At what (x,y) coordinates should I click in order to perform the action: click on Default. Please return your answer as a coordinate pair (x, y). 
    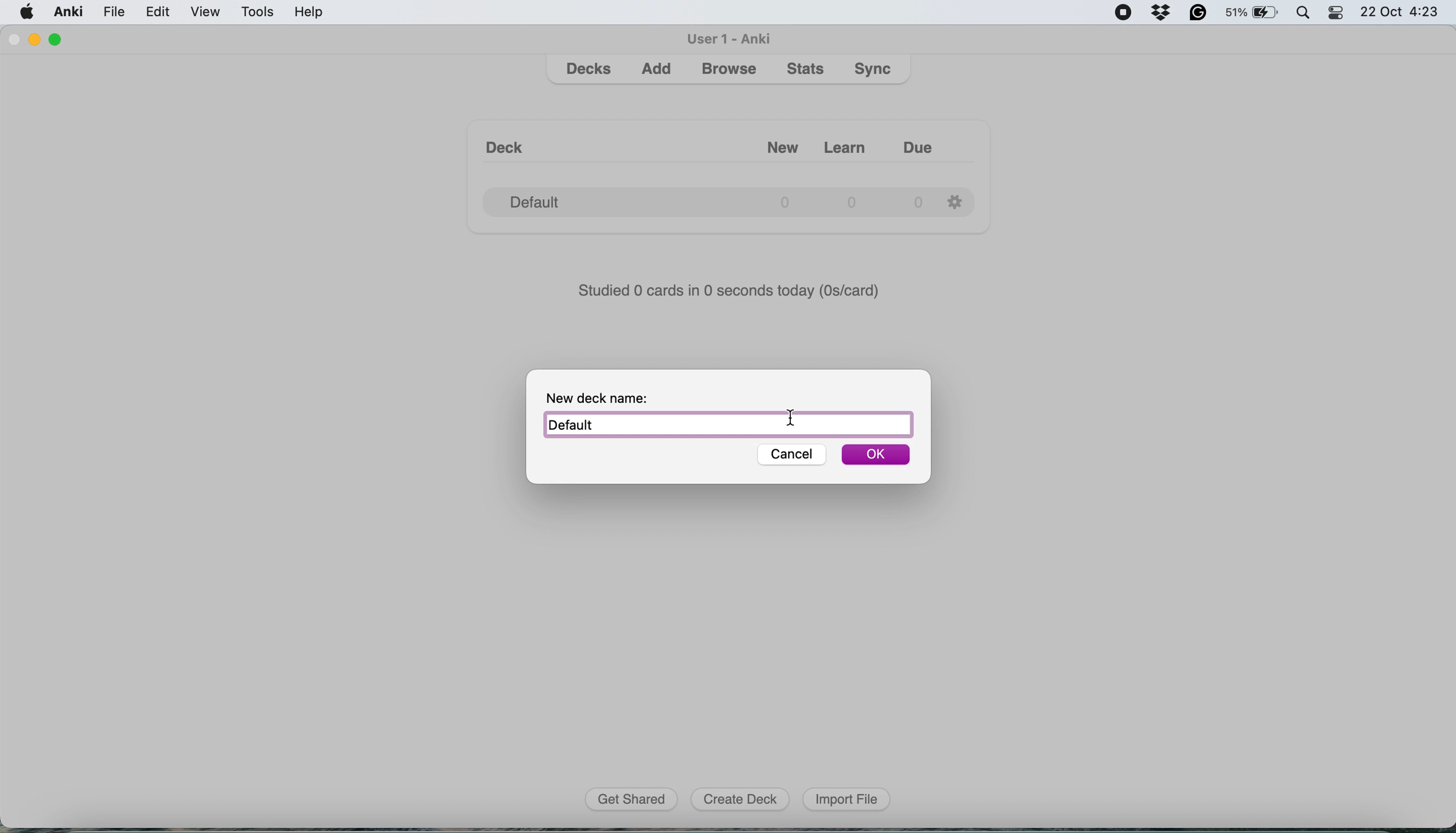
    Looking at the image, I should click on (702, 198).